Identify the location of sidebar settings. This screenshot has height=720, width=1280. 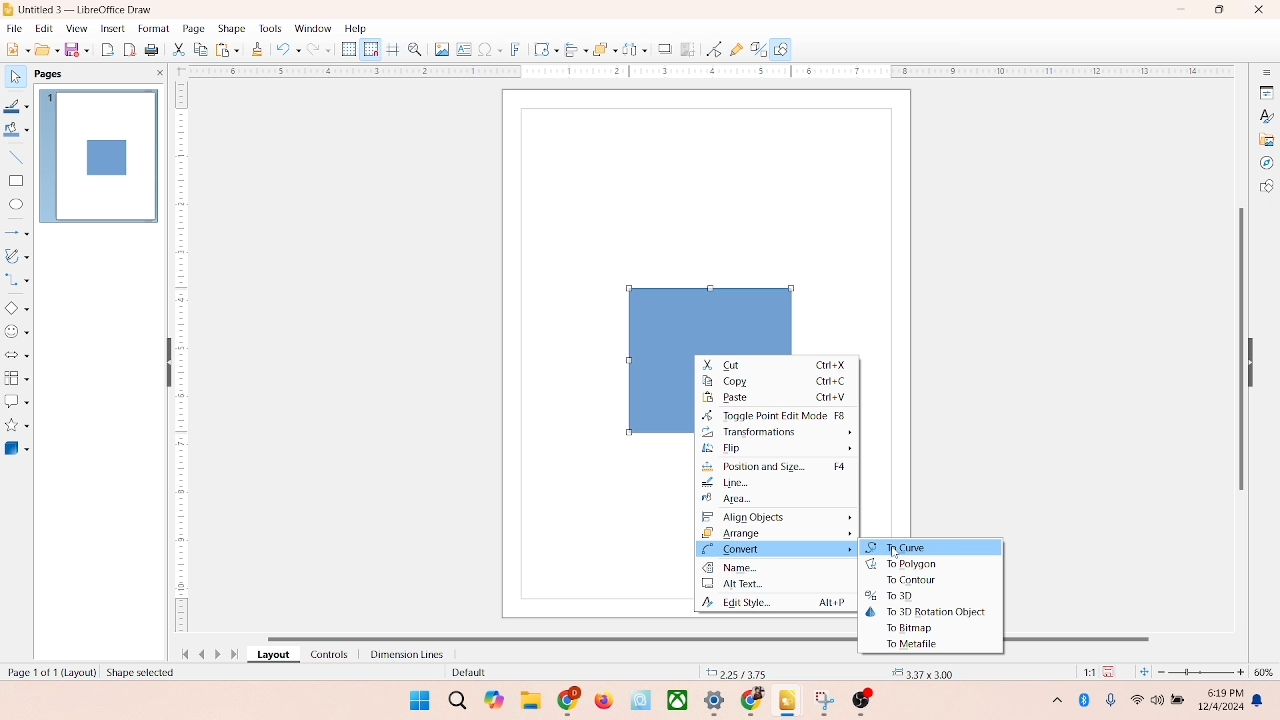
(1266, 73).